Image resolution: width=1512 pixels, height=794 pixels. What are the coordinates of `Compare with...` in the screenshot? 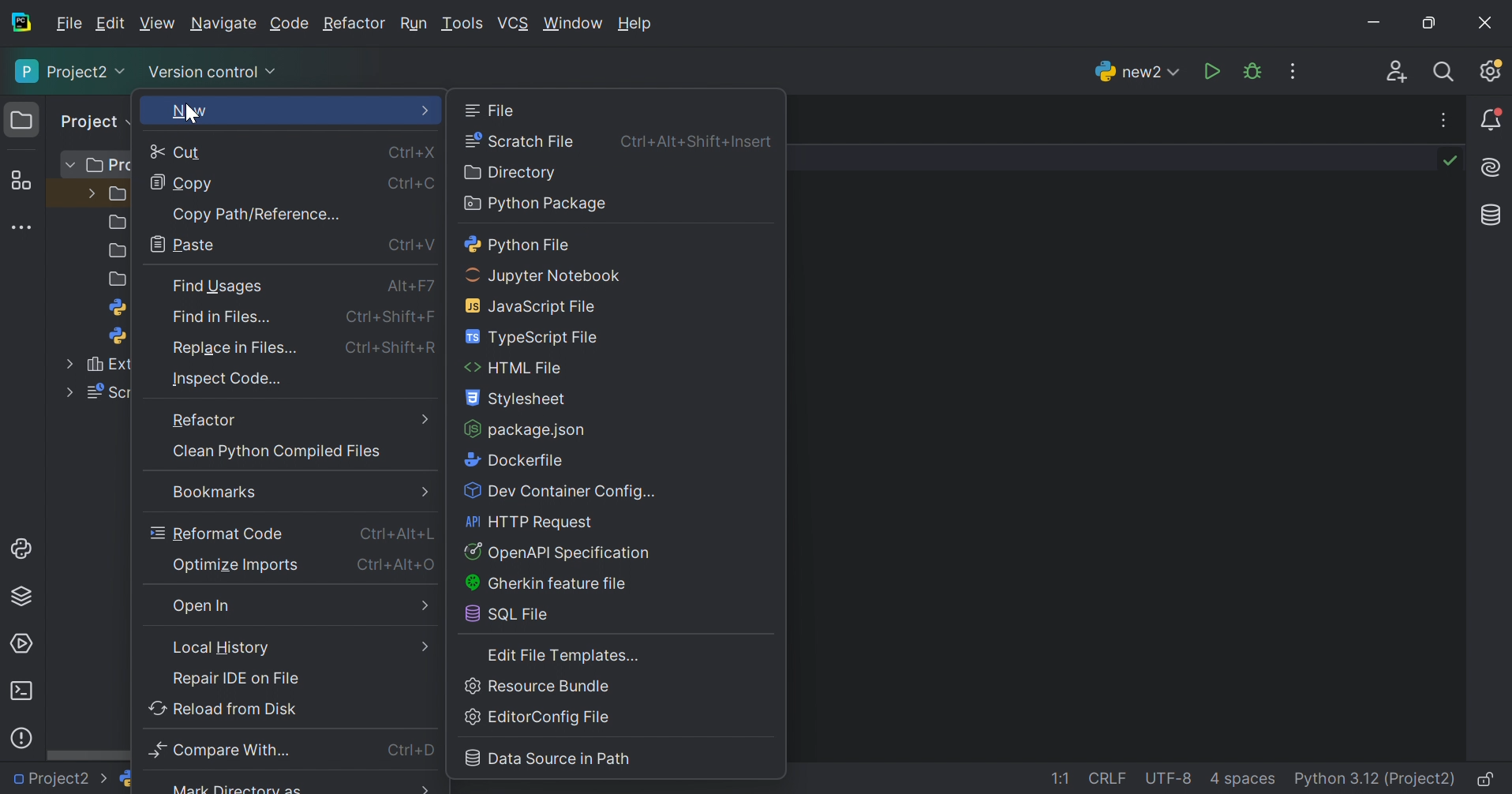 It's located at (226, 750).